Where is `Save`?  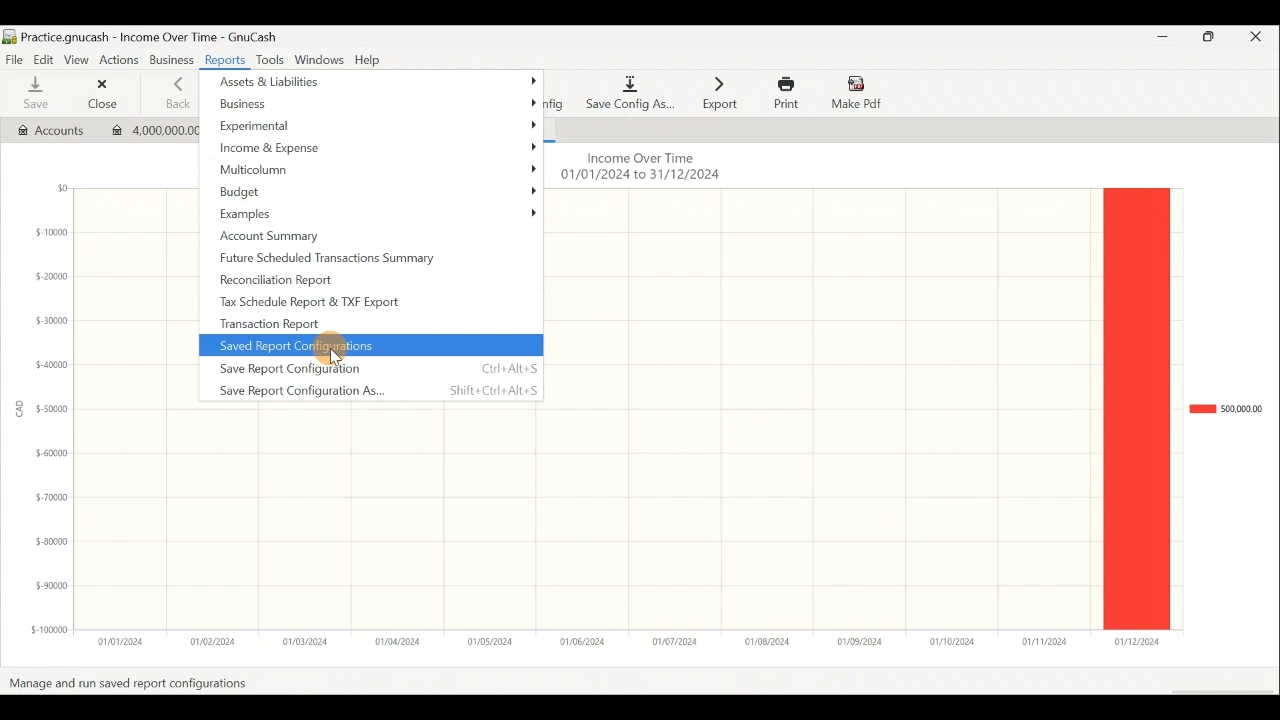
Save is located at coordinates (33, 94).